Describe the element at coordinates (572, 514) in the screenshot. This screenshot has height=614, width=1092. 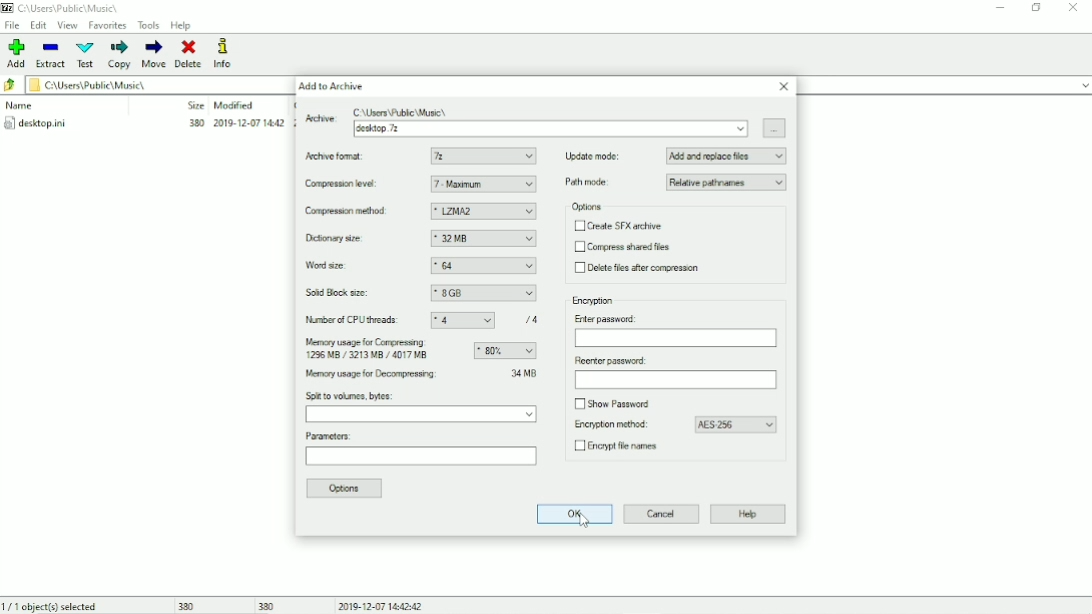
I see `OK` at that location.